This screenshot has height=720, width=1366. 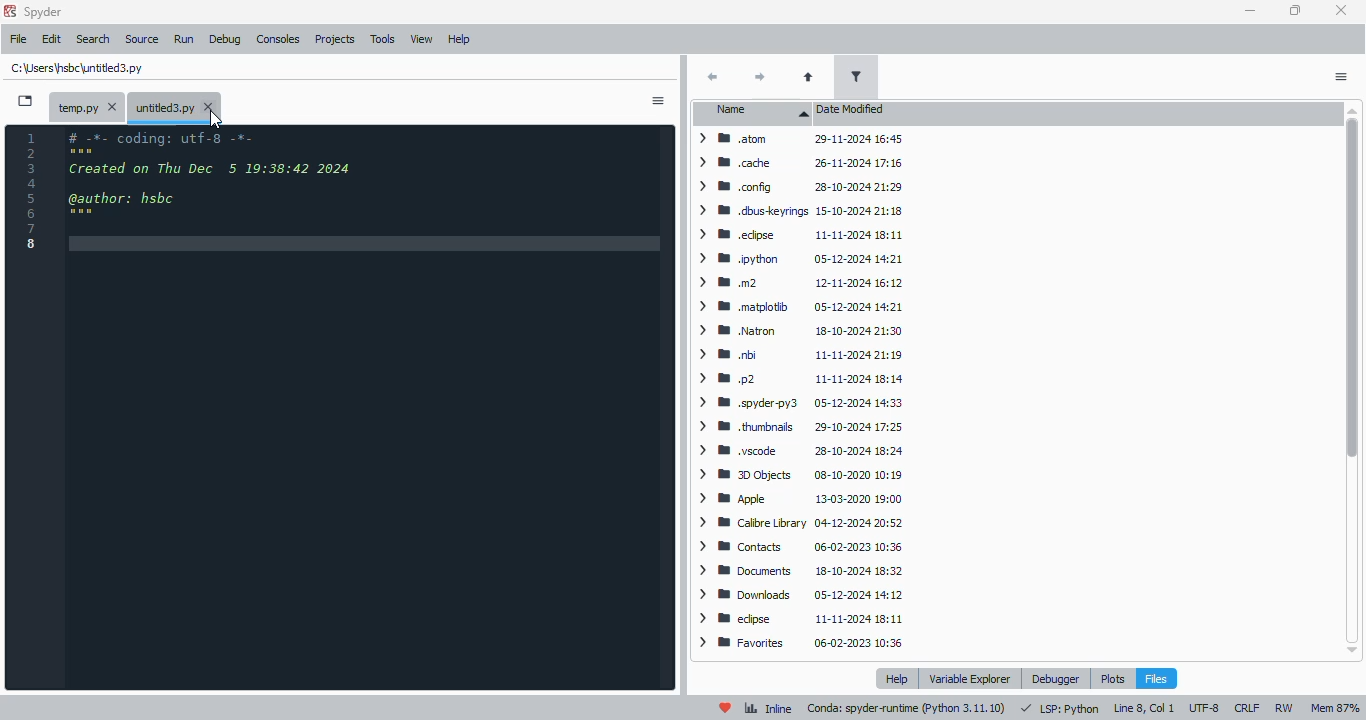 What do you see at coordinates (795, 427) in the screenshot?
I see `> thumbnails 29-10-2024 17:25` at bounding box center [795, 427].